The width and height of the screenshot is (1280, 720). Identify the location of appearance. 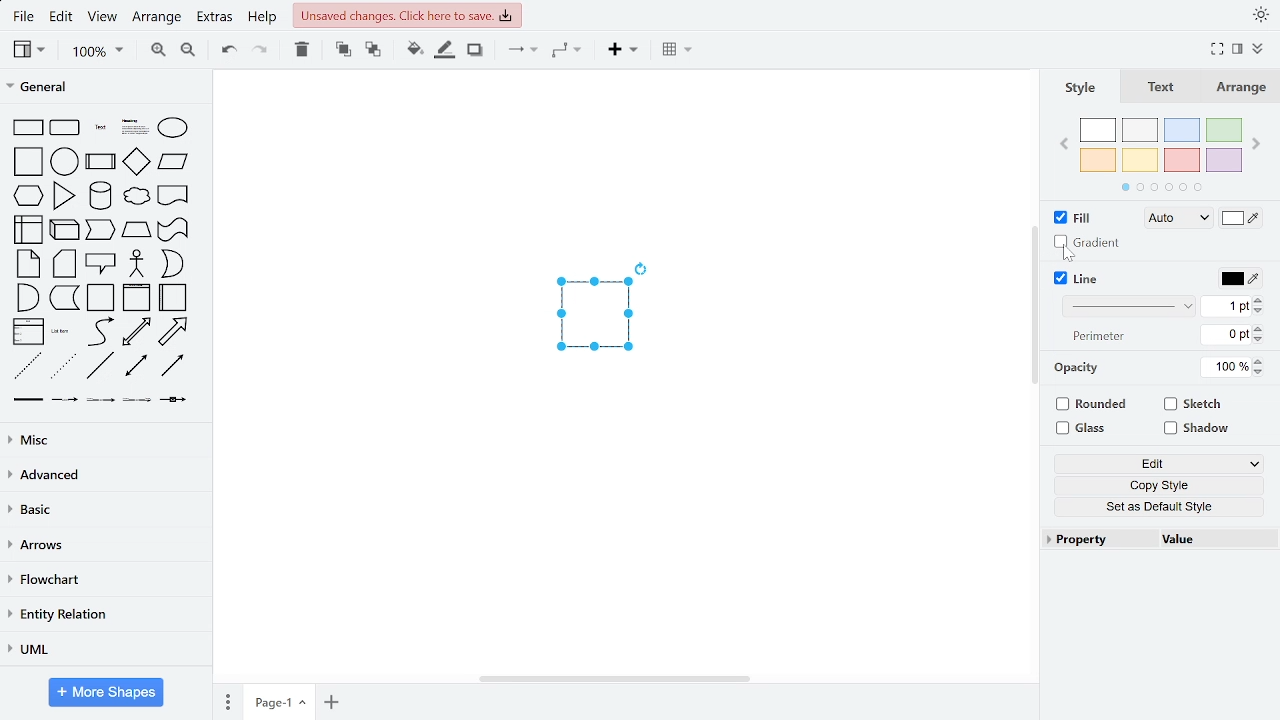
(1260, 14).